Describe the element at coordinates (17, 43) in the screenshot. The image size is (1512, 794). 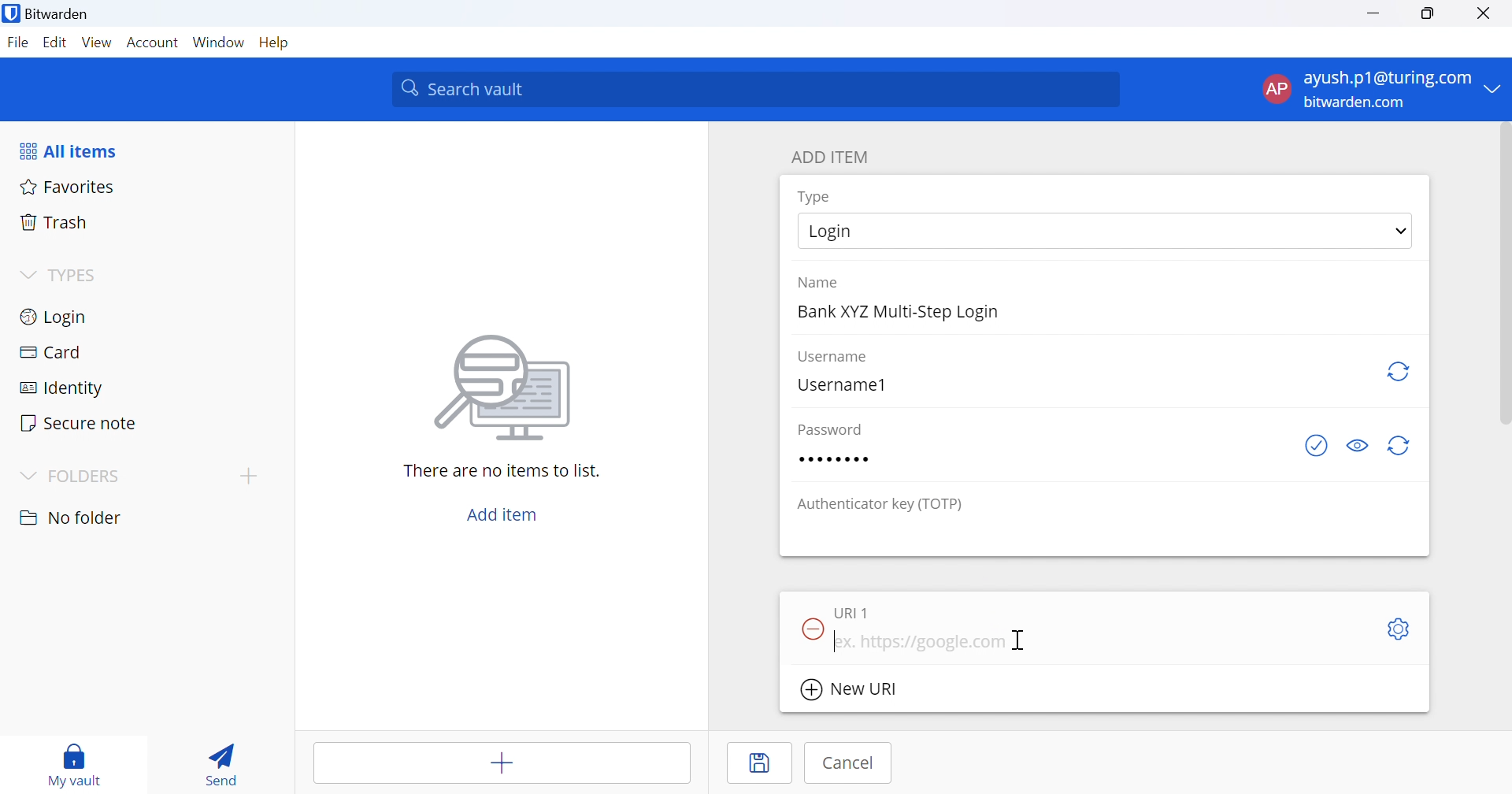
I see `File` at that location.